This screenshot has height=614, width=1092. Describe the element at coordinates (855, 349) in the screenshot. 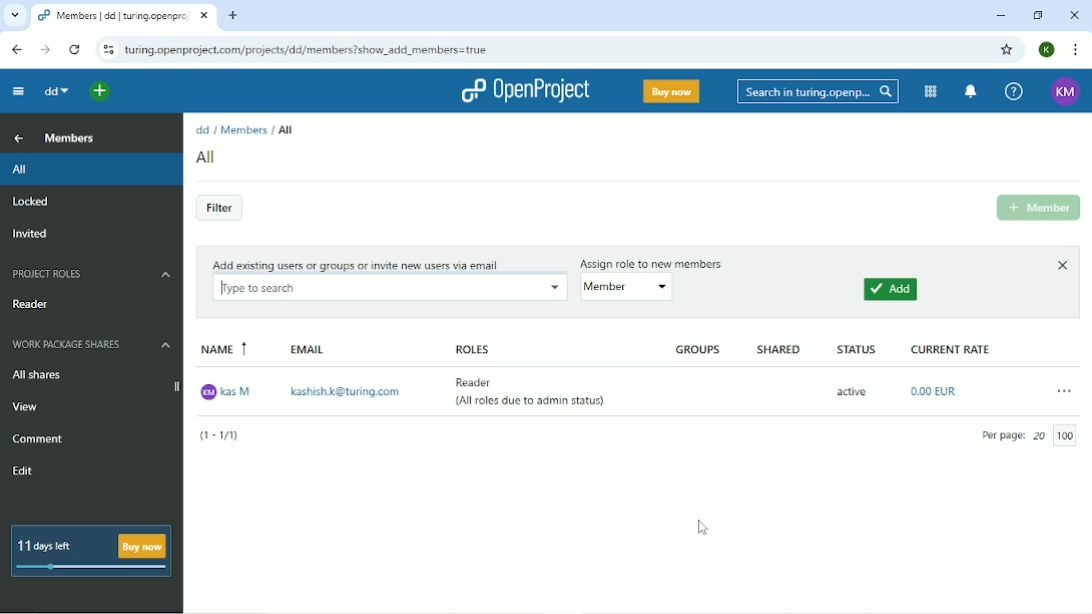

I see `Status` at that location.